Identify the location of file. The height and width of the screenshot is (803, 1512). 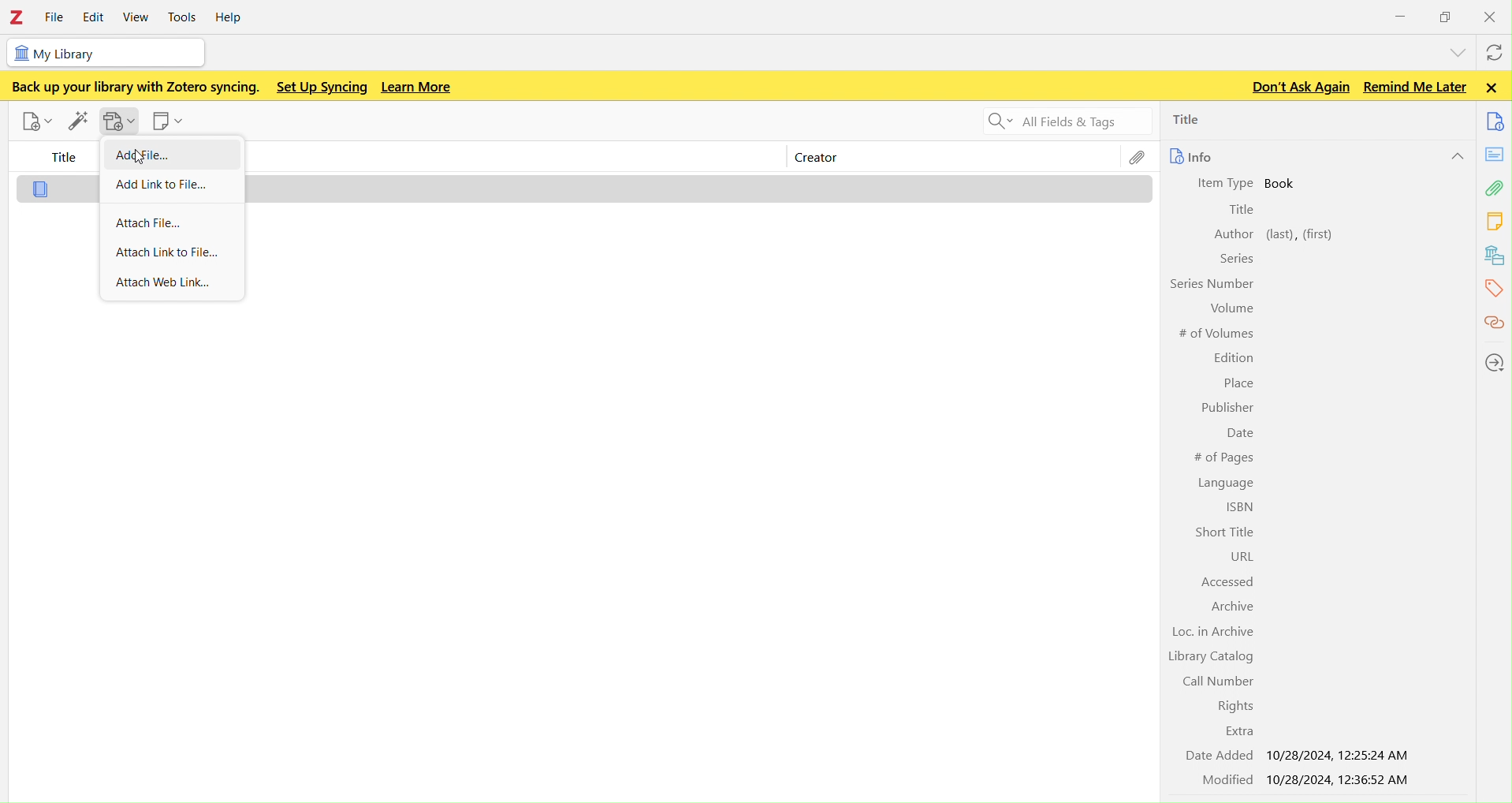
(1136, 158).